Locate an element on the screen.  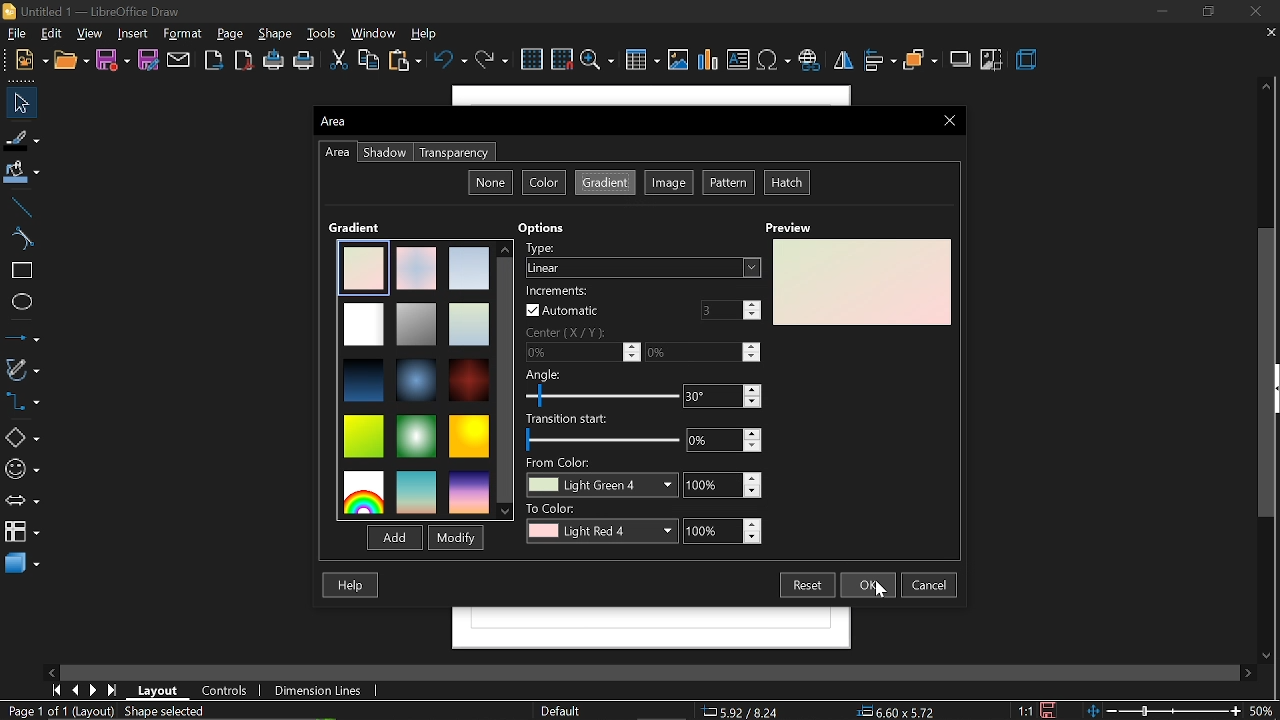
crop is located at coordinates (992, 59).